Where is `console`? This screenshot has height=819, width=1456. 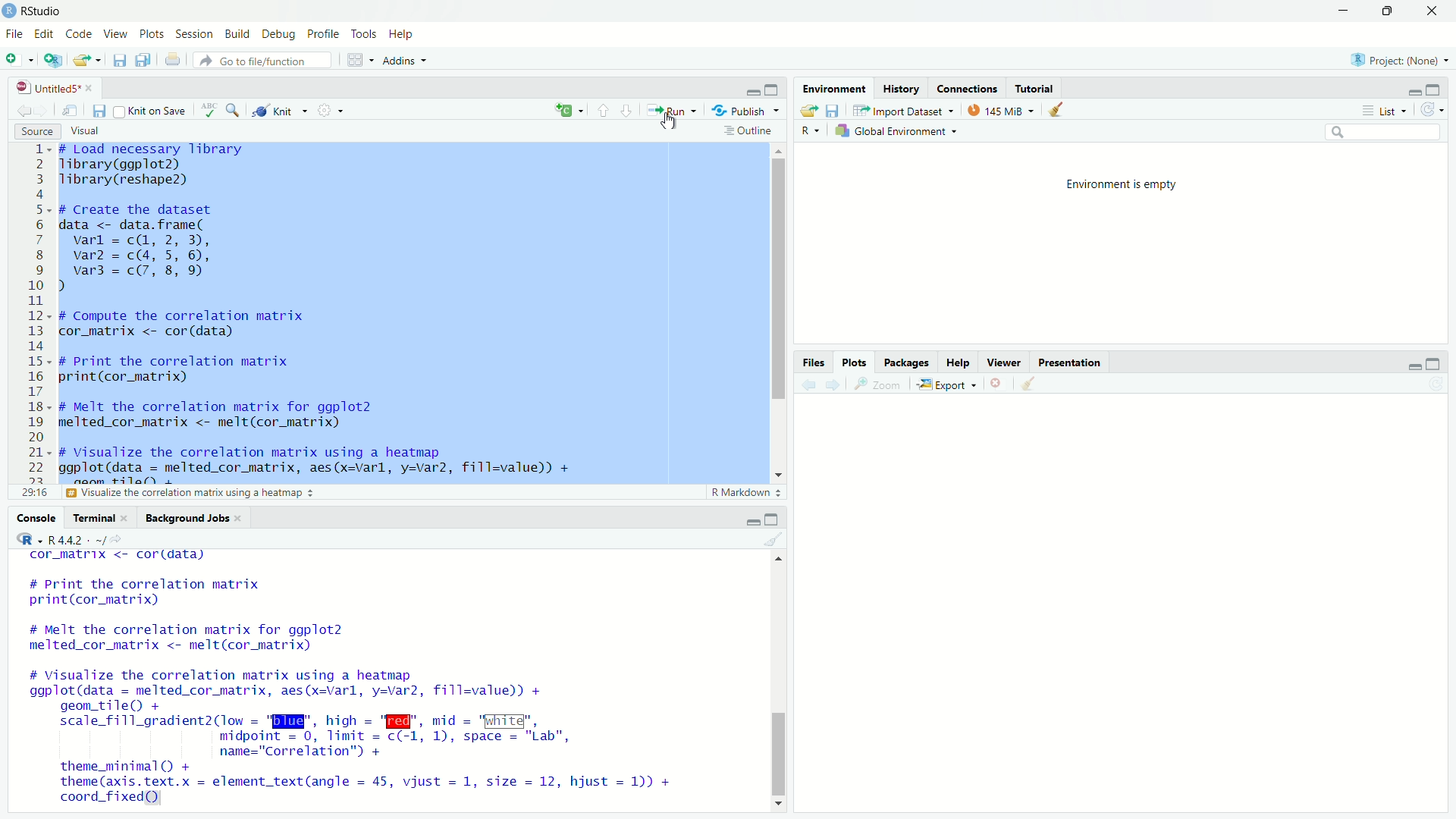
console is located at coordinates (38, 518).